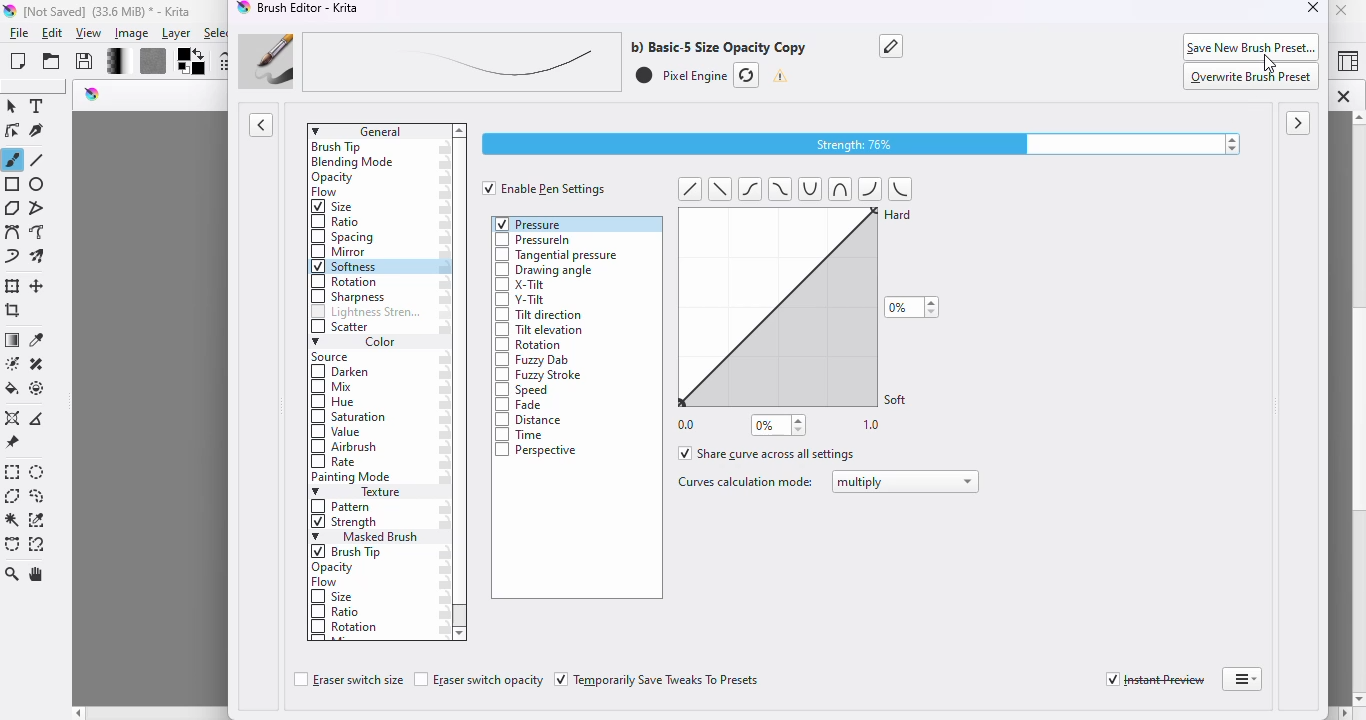 The width and height of the screenshot is (1366, 720). Describe the element at coordinates (262, 125) in the screenshot. I see `toggle showing presets` at that location.